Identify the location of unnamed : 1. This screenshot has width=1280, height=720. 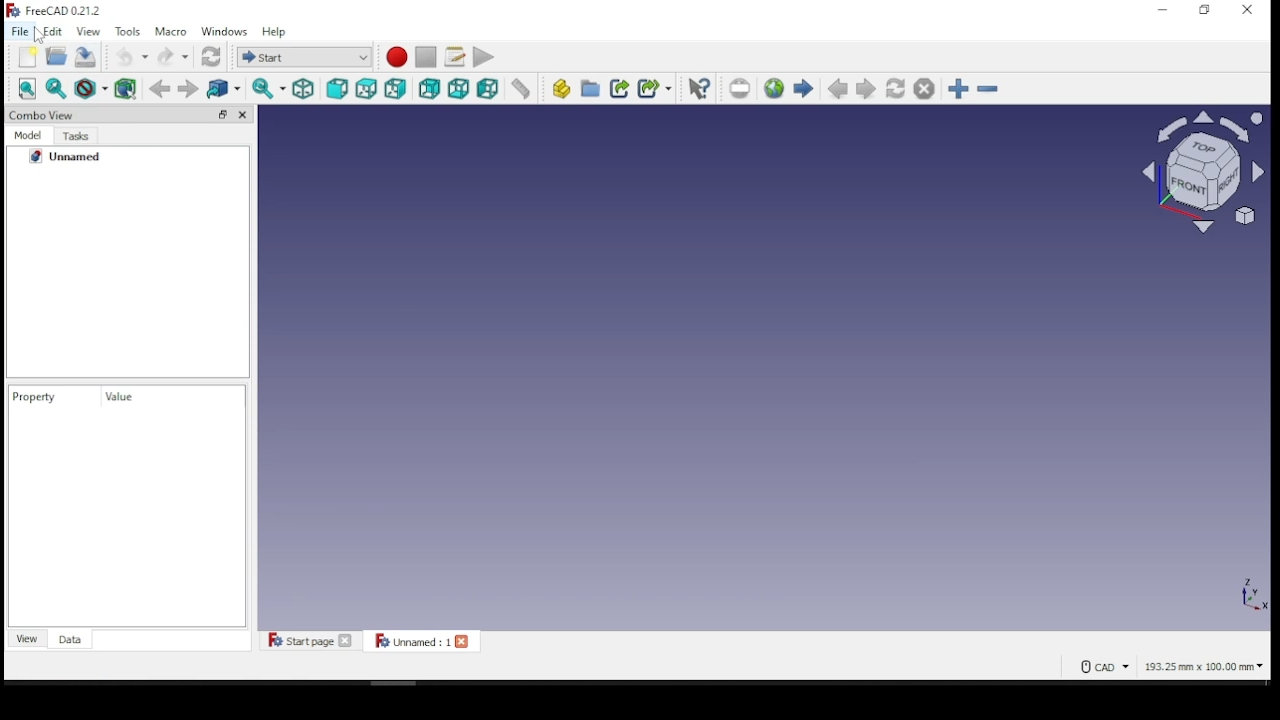
(421, 641).